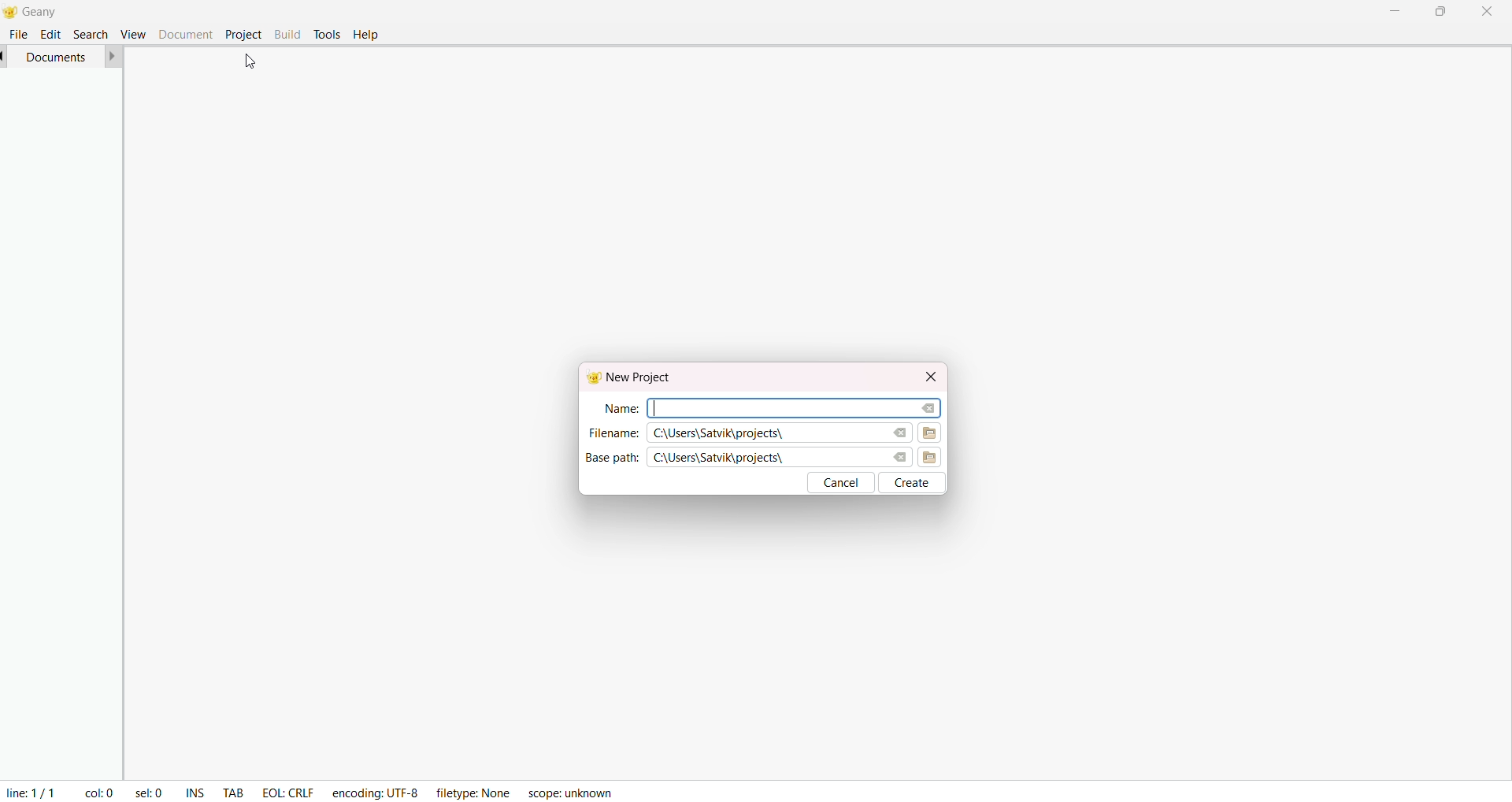  I want to click on sel: 0, so click(147, 791).